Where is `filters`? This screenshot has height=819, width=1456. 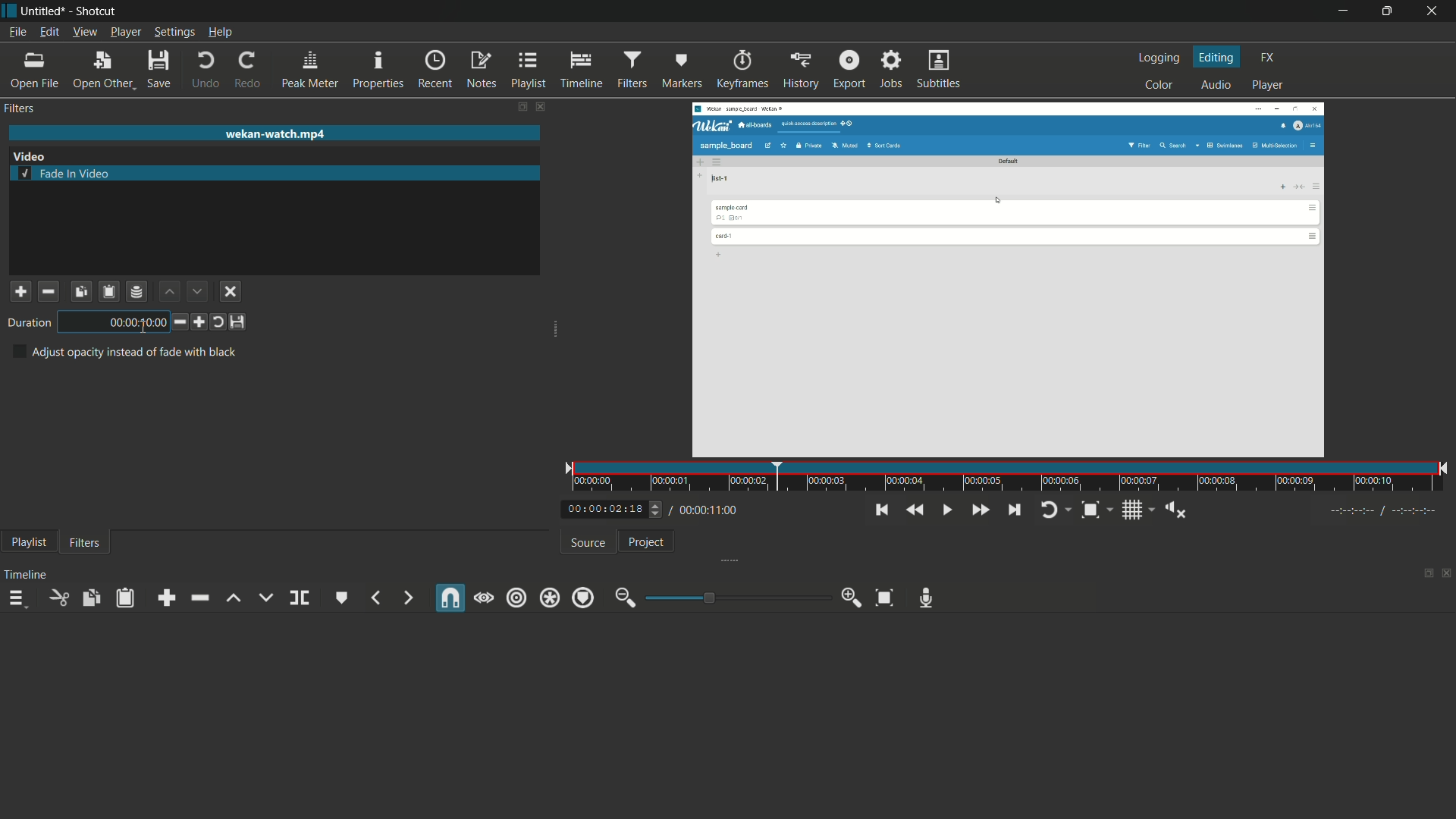 filters is located at coordinates (85, 544).